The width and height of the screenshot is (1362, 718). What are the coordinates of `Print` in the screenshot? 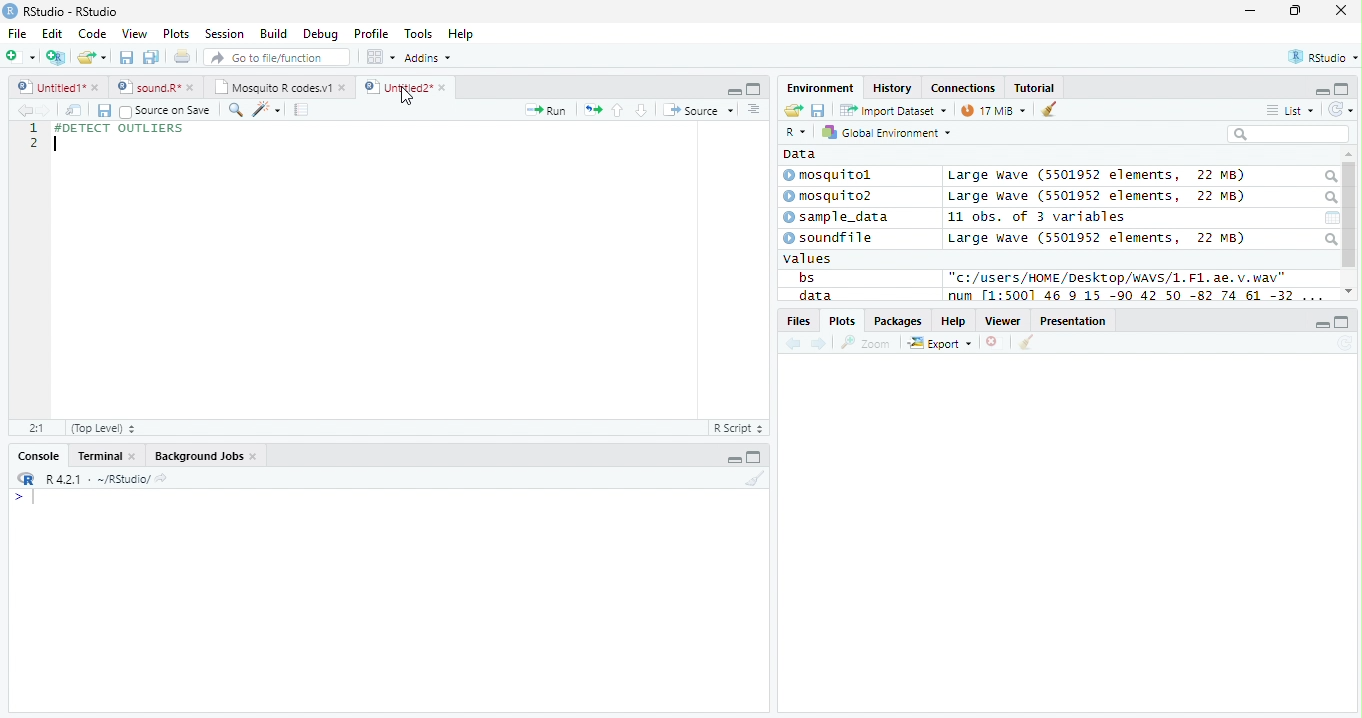 It's located at (183, 58).